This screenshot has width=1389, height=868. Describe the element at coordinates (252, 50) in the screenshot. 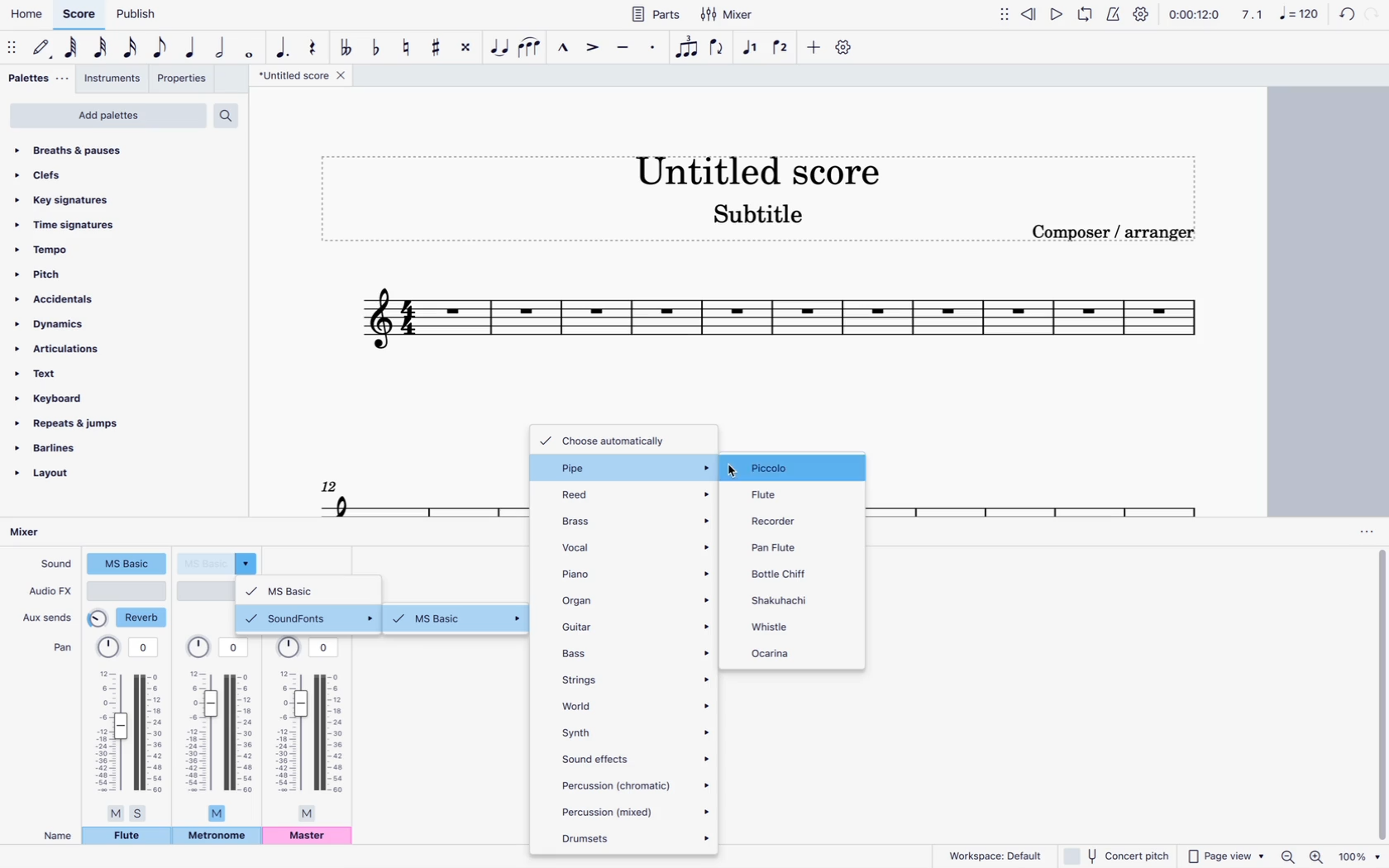

I see `full note` at that location.